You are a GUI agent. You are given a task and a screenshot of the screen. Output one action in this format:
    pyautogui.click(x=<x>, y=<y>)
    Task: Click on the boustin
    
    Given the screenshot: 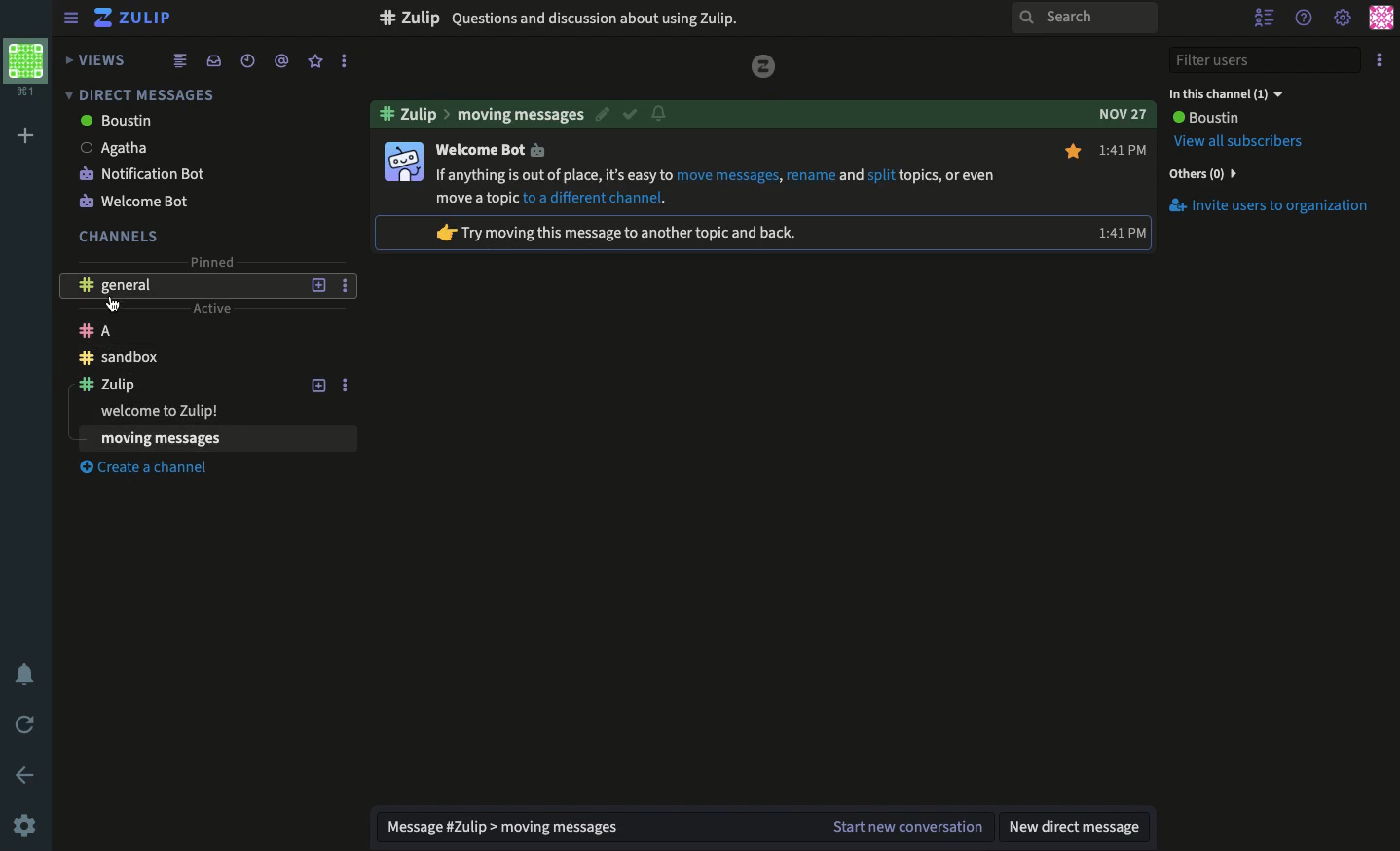 What is the action you would take?
    pyautogui.click(x=182, y=122)
    